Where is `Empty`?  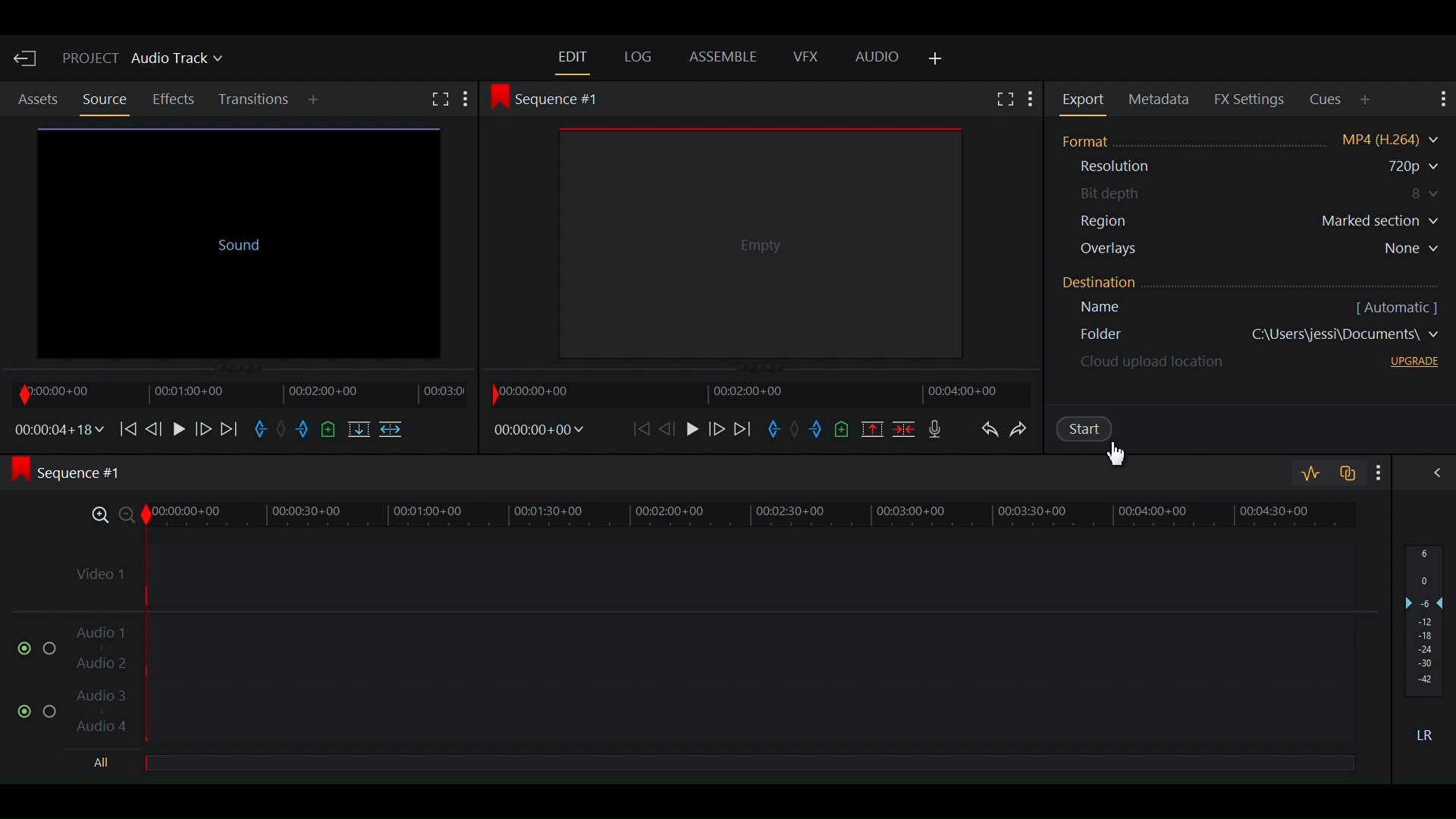
Empty is located at coordinates (757, 240).